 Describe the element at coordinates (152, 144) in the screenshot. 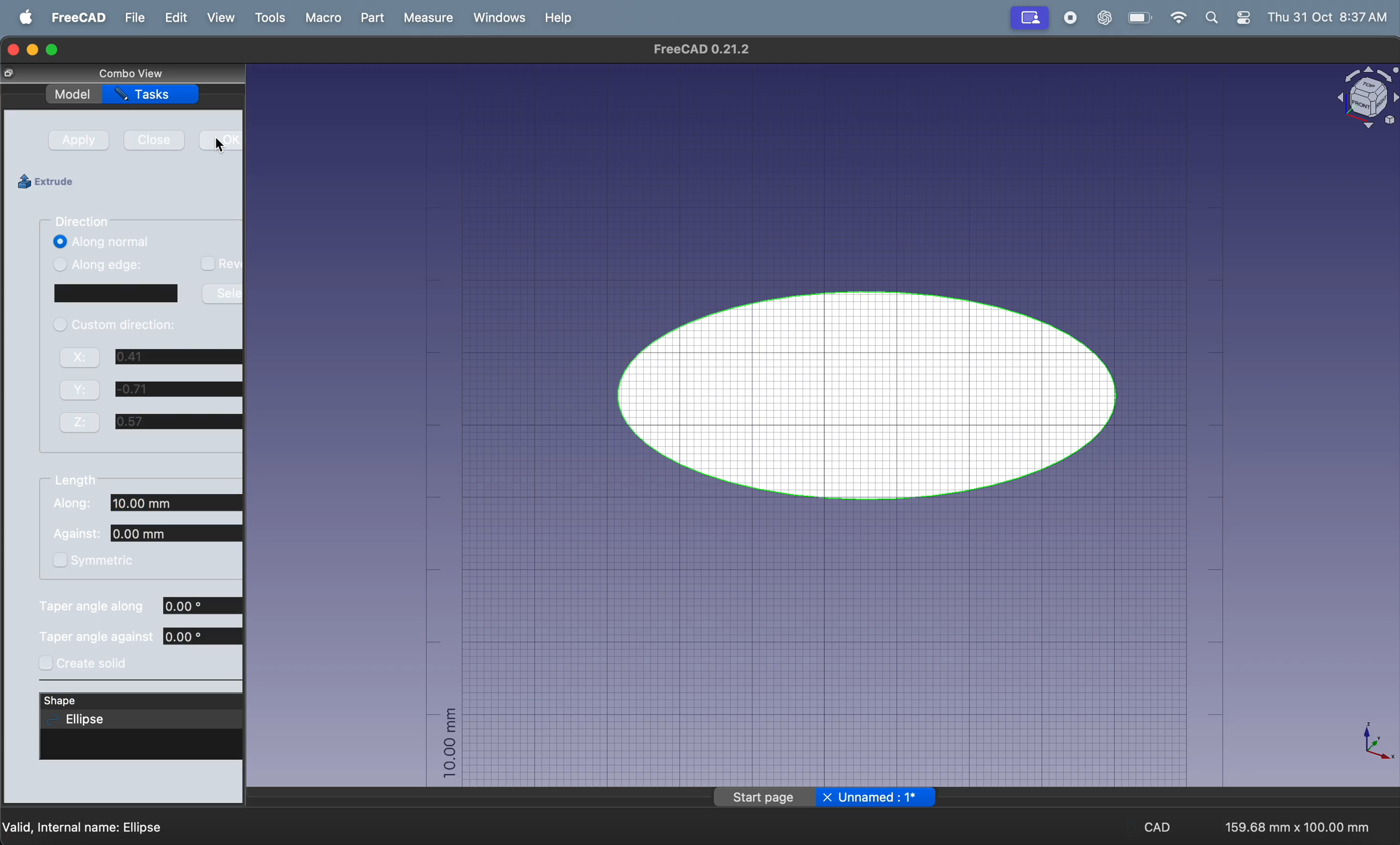

I see `close` at that location.